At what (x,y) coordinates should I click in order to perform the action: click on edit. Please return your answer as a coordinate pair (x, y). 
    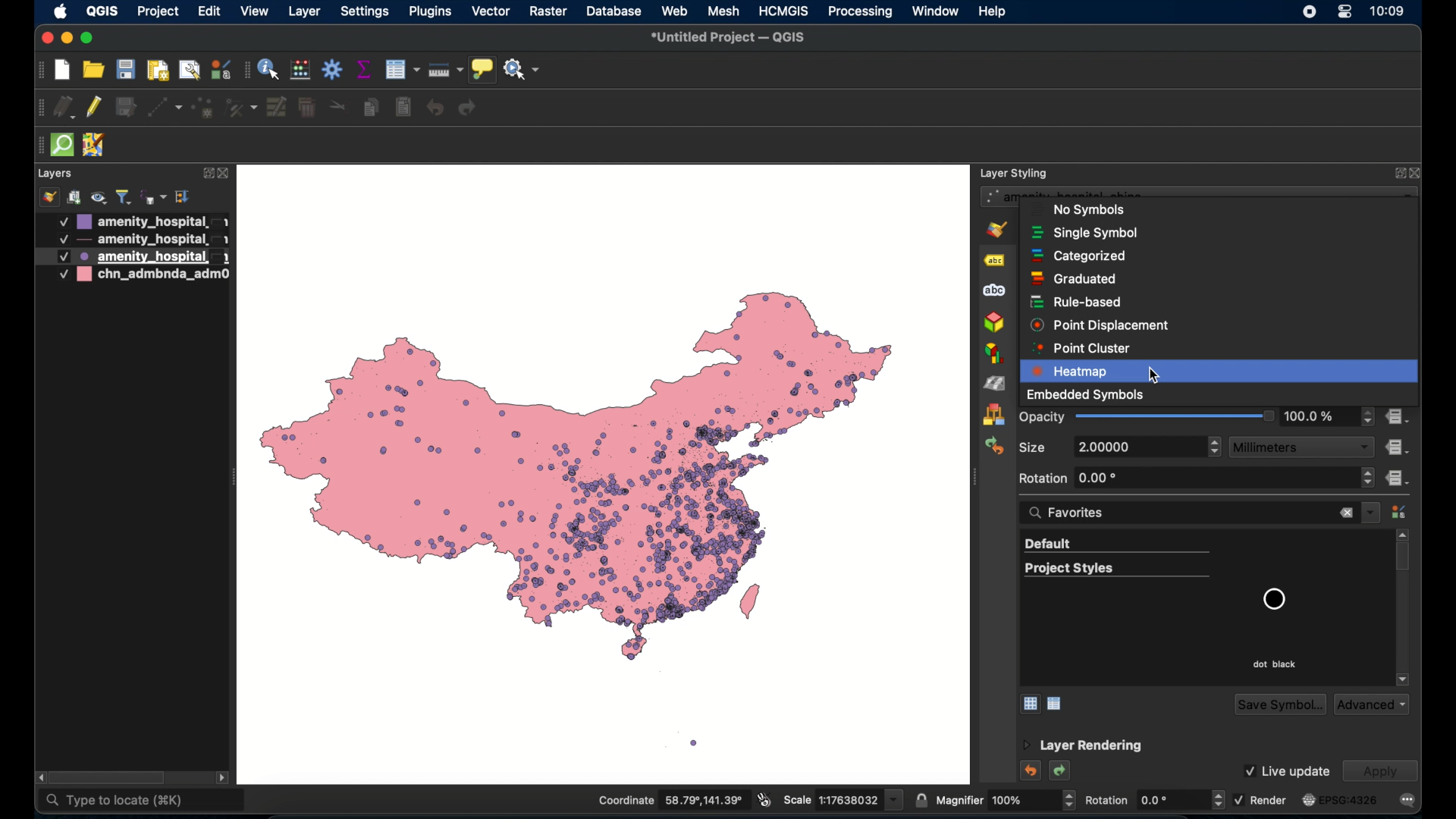
    Looking at the image, I should click on (209, 11).